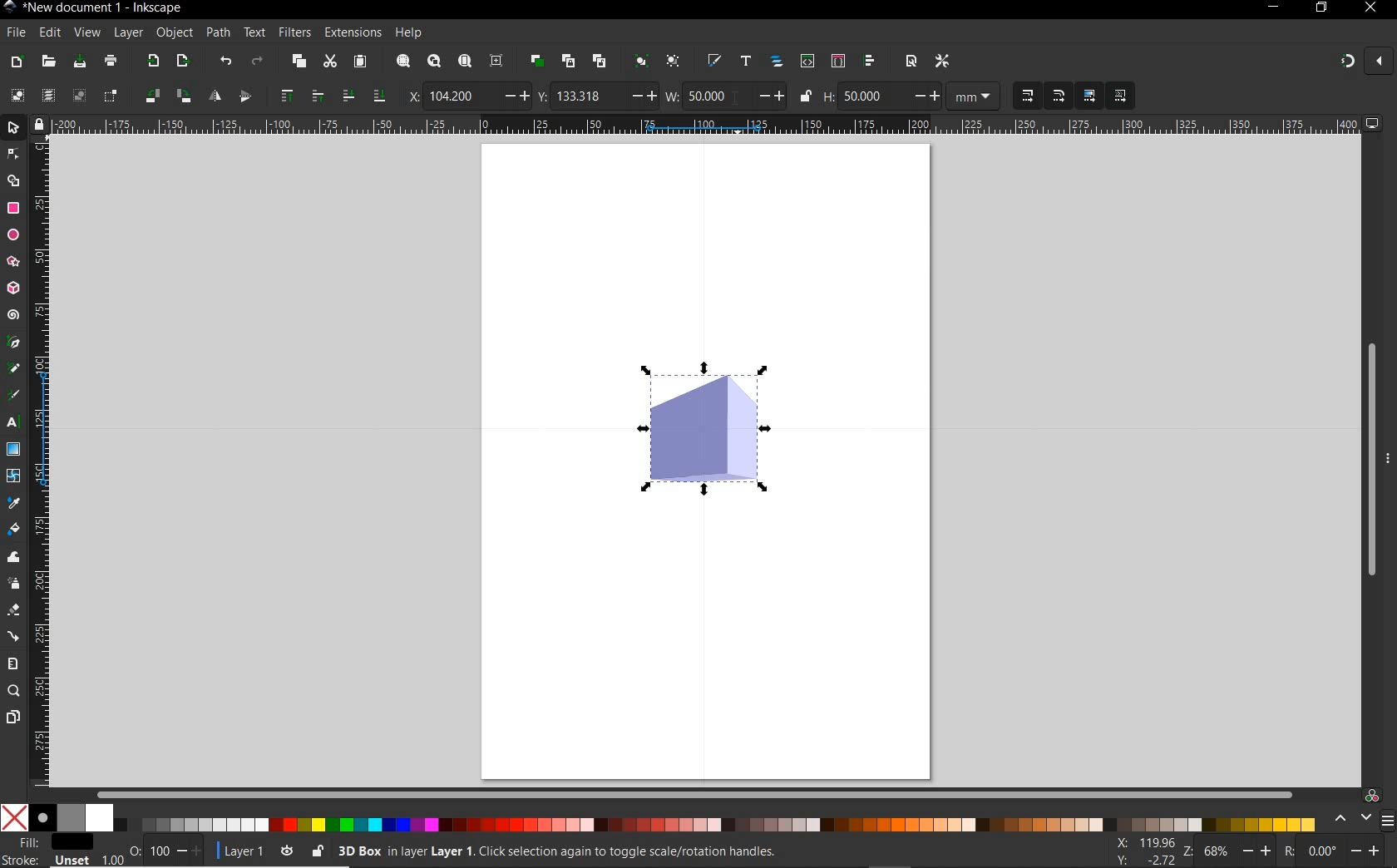  Describe the element at coordinates (12, 424) in the screenshot. I see `text tool` at that location.